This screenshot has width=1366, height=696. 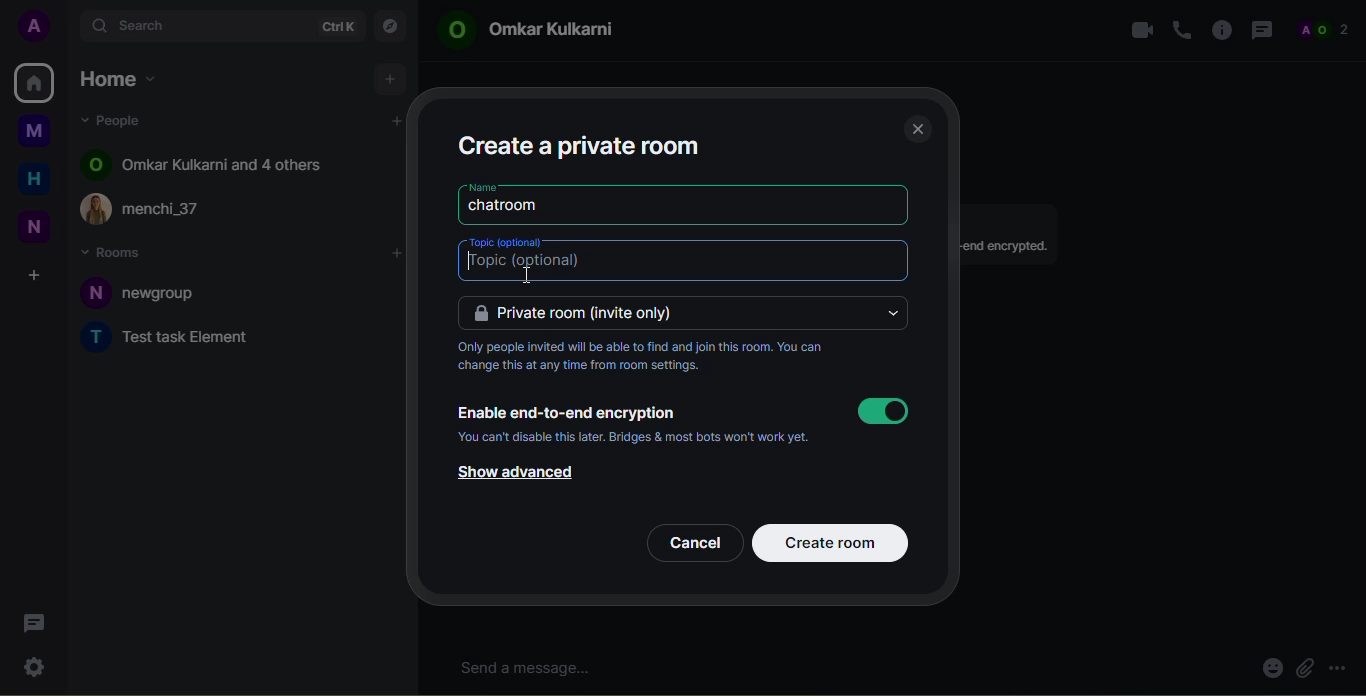 I want to click on show advanced, so click(x=511, y=473).